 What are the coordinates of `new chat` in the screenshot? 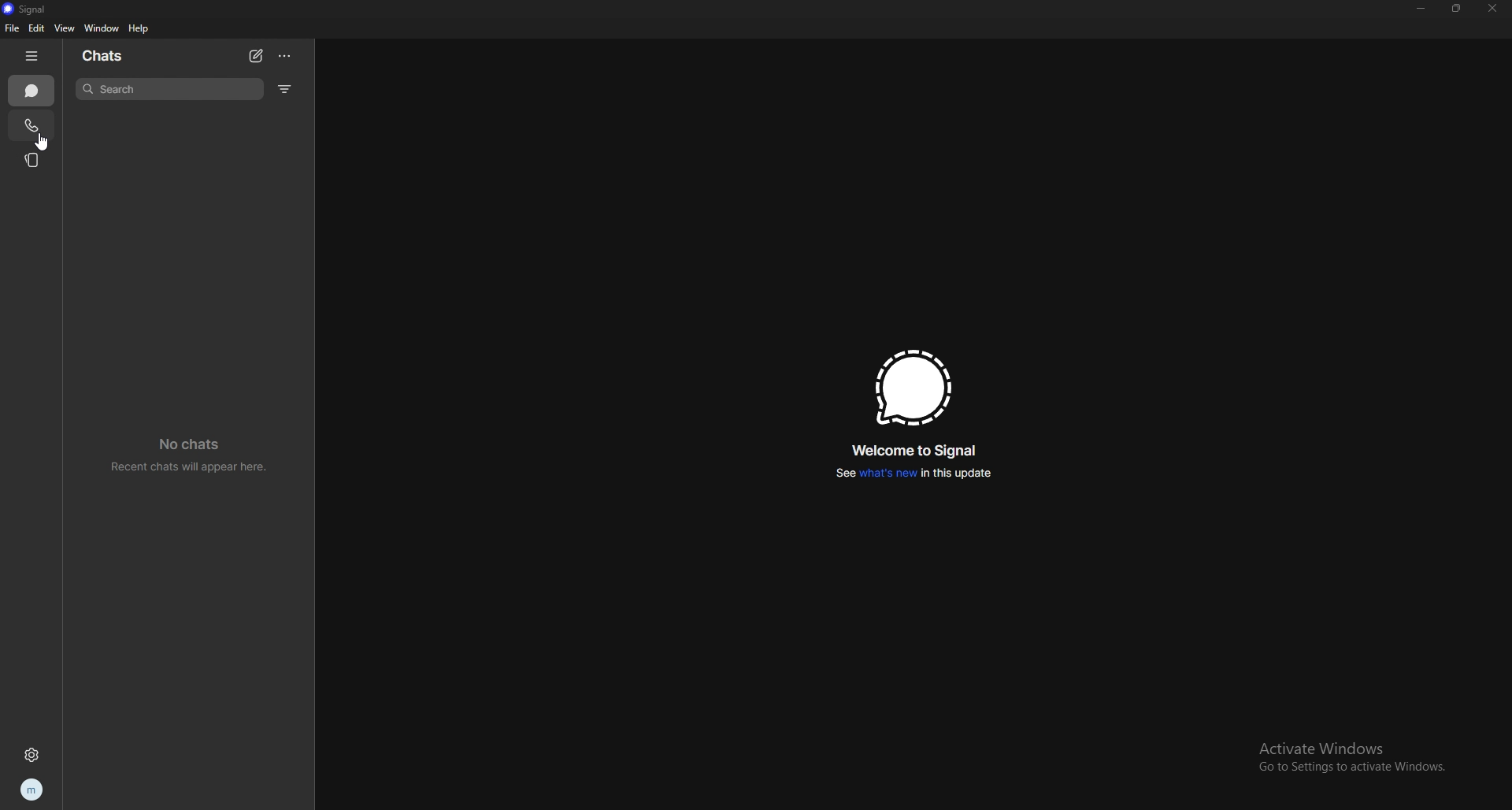 It's located at (255, 56).